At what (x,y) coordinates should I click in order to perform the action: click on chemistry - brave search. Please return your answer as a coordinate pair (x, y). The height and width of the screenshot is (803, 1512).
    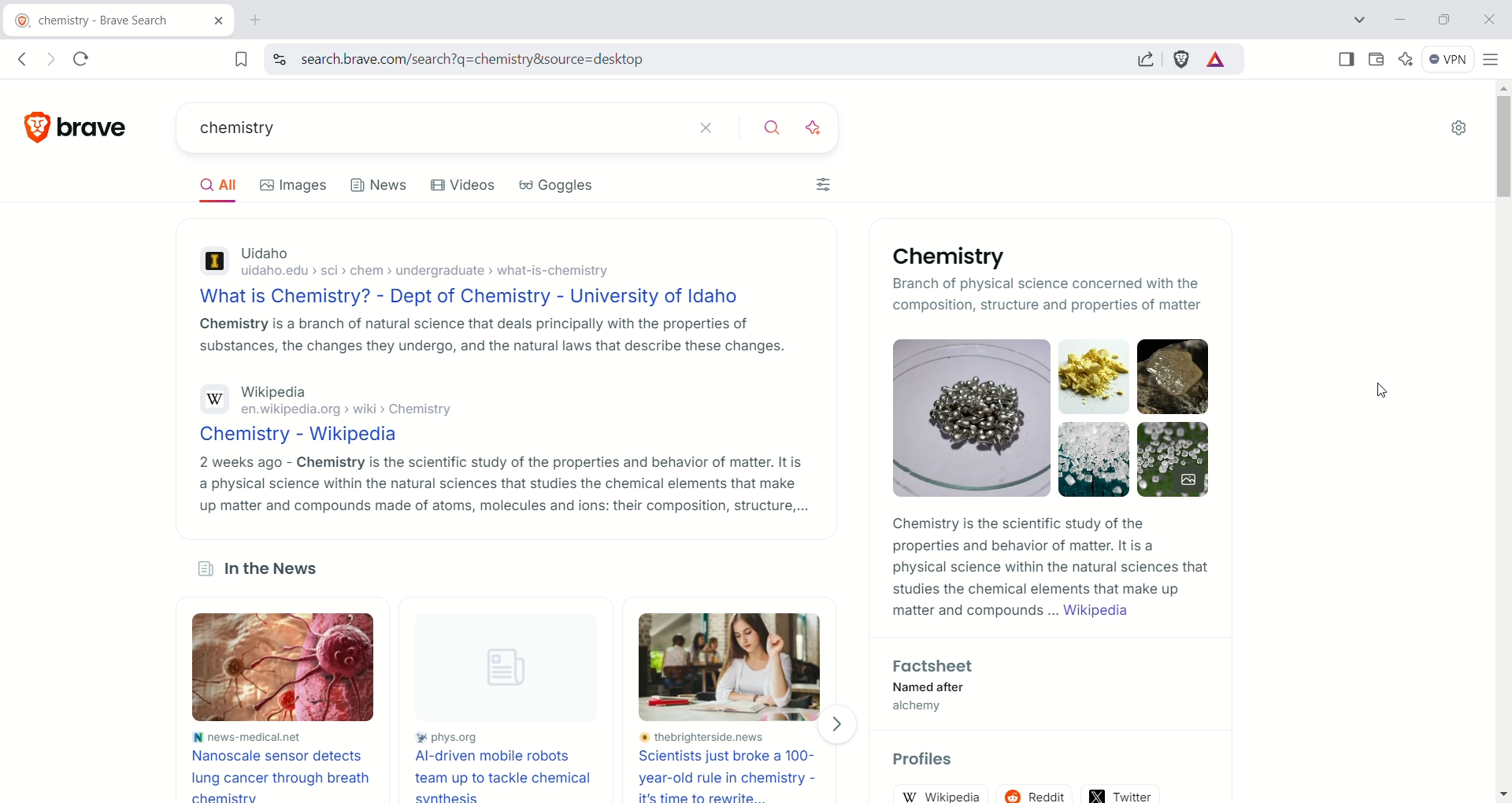
    Looking at the image, I should click on (89, 22).